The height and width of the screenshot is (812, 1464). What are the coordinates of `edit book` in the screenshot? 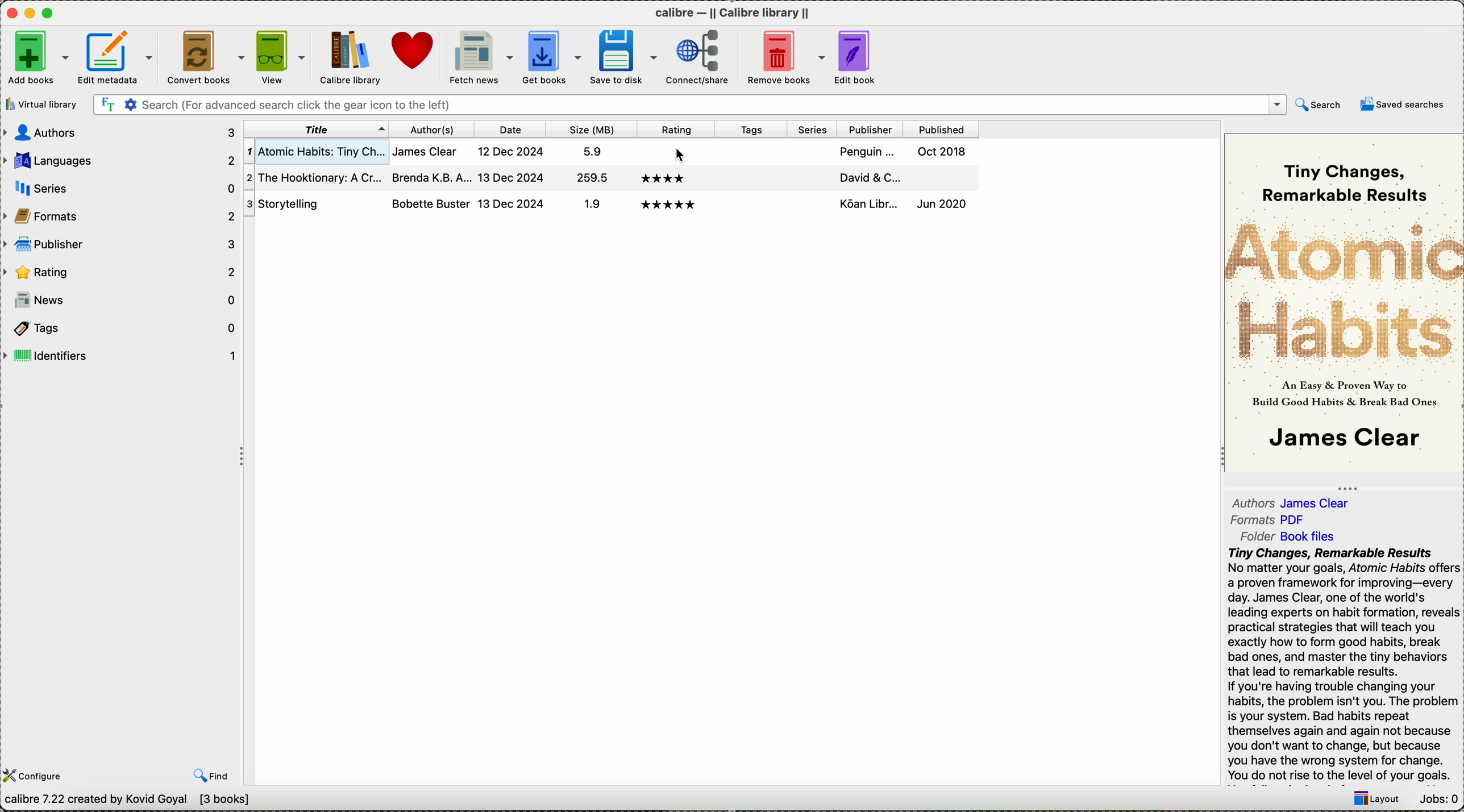 It's located at (858, 57).